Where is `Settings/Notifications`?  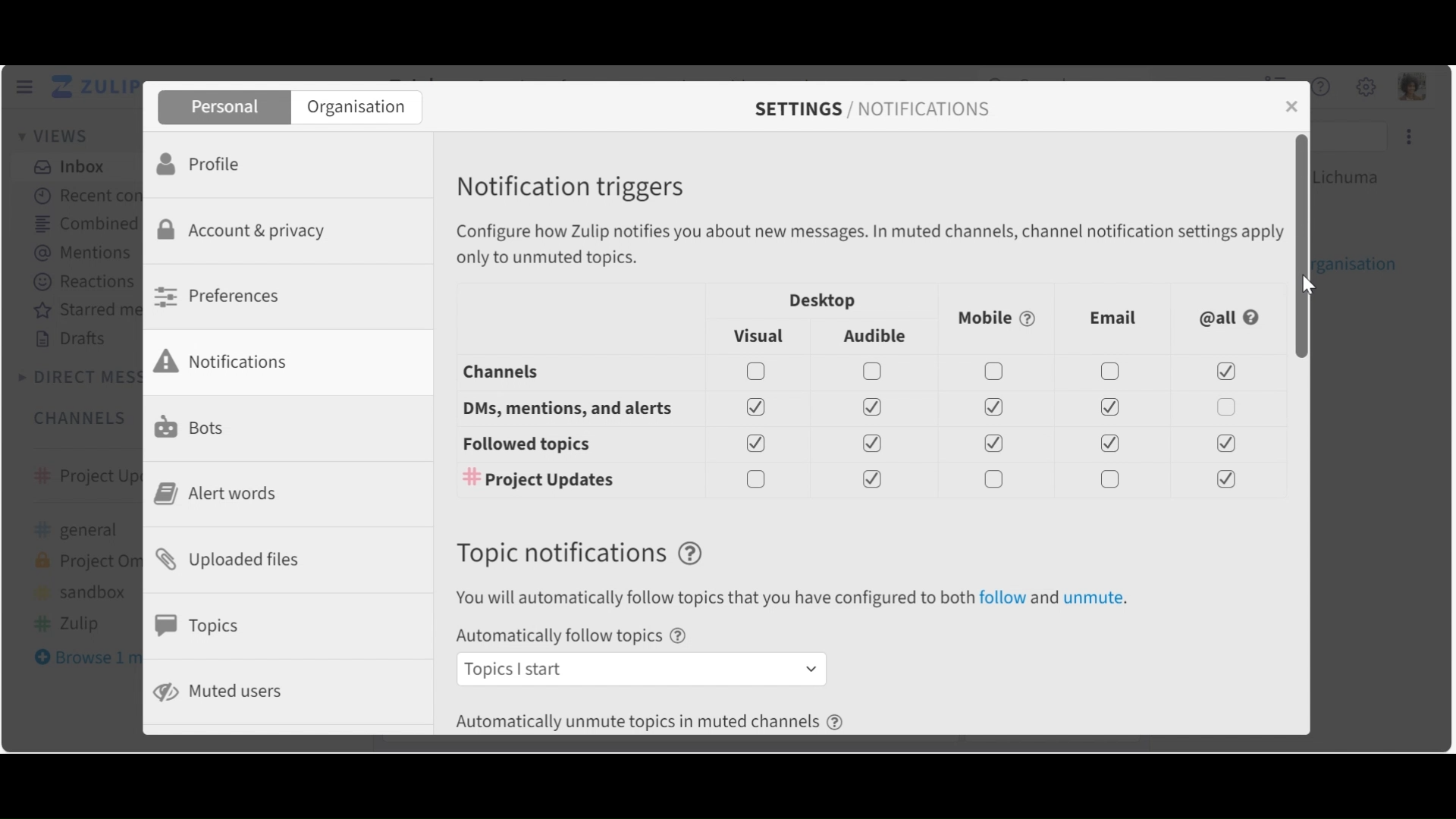 Settings/Notifications is located at coordinates (880, 109).